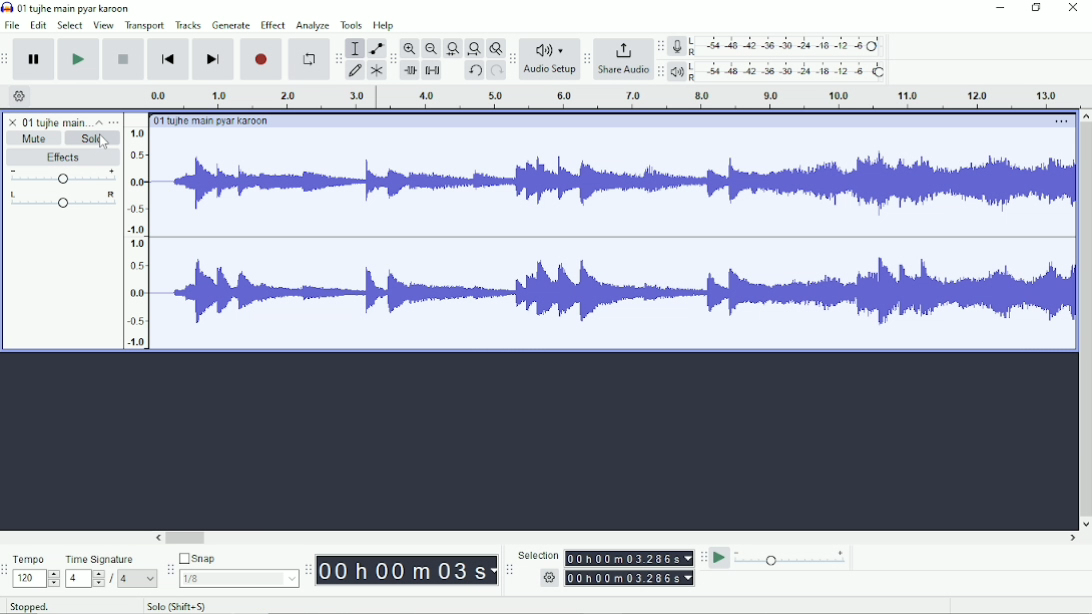 The height and width of the screenshot is (614, 1092). What do you see at coordinates (777, 71) in the screenshot?
I see `Playback meter` at bounding box center [777, 71].